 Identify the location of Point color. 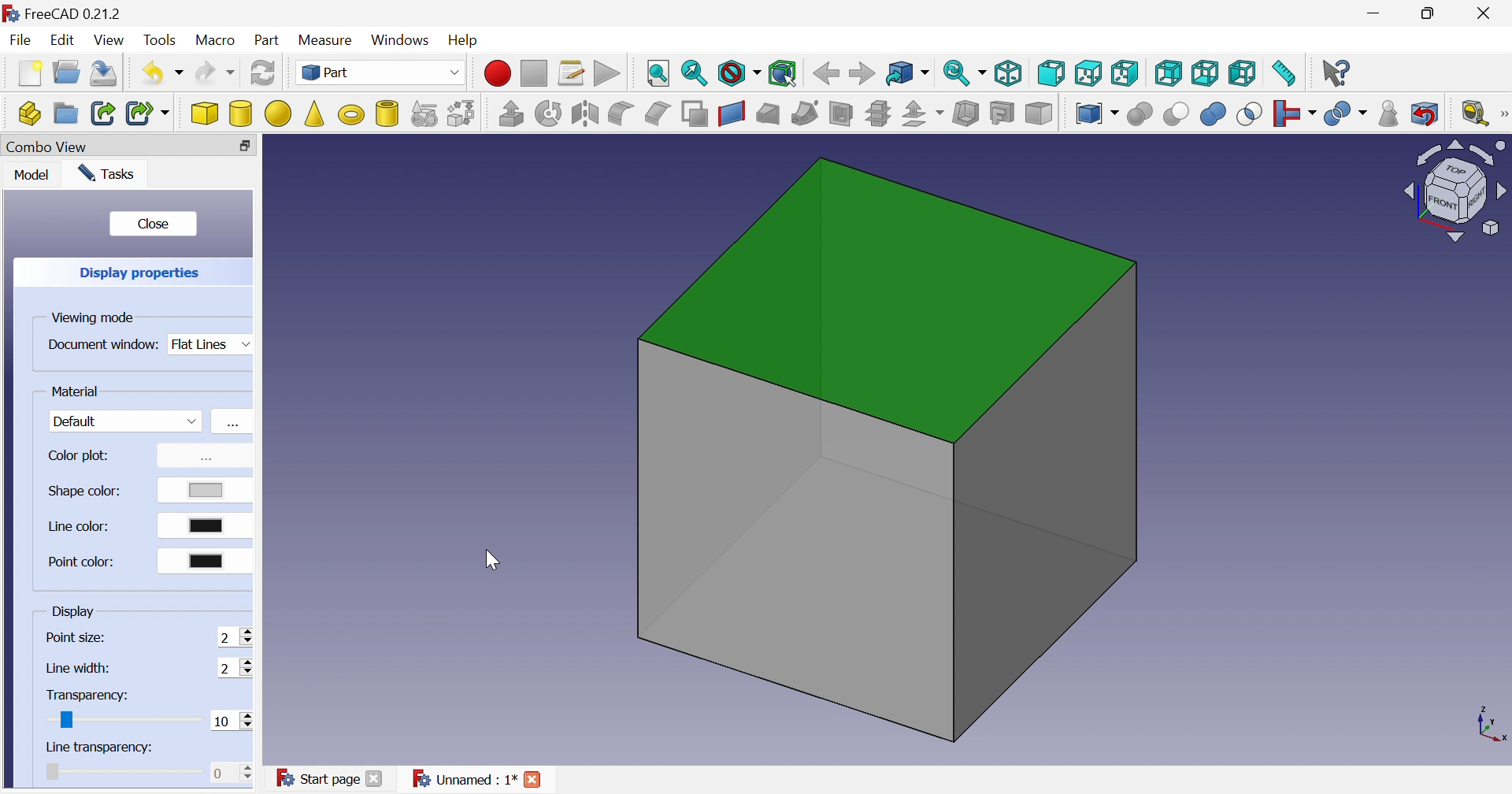
(80, 562).